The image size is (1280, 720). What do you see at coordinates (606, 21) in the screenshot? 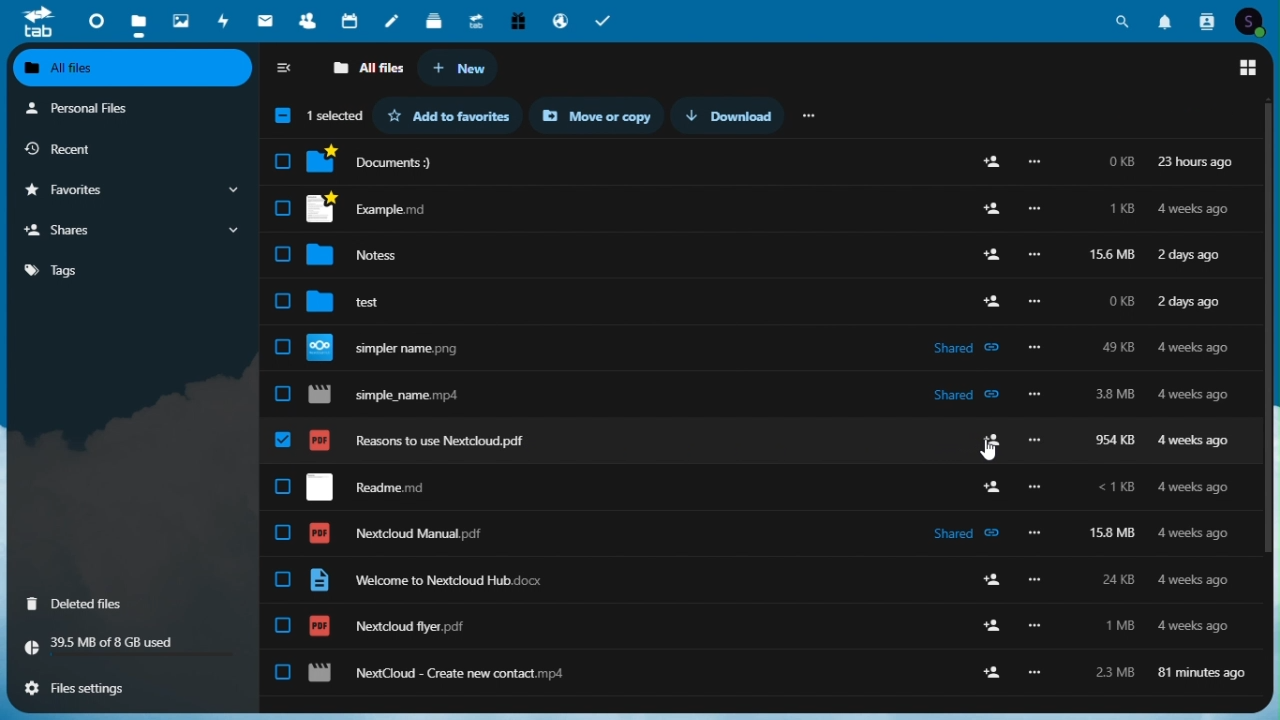
I see `task` at bounding box center [606, 21].